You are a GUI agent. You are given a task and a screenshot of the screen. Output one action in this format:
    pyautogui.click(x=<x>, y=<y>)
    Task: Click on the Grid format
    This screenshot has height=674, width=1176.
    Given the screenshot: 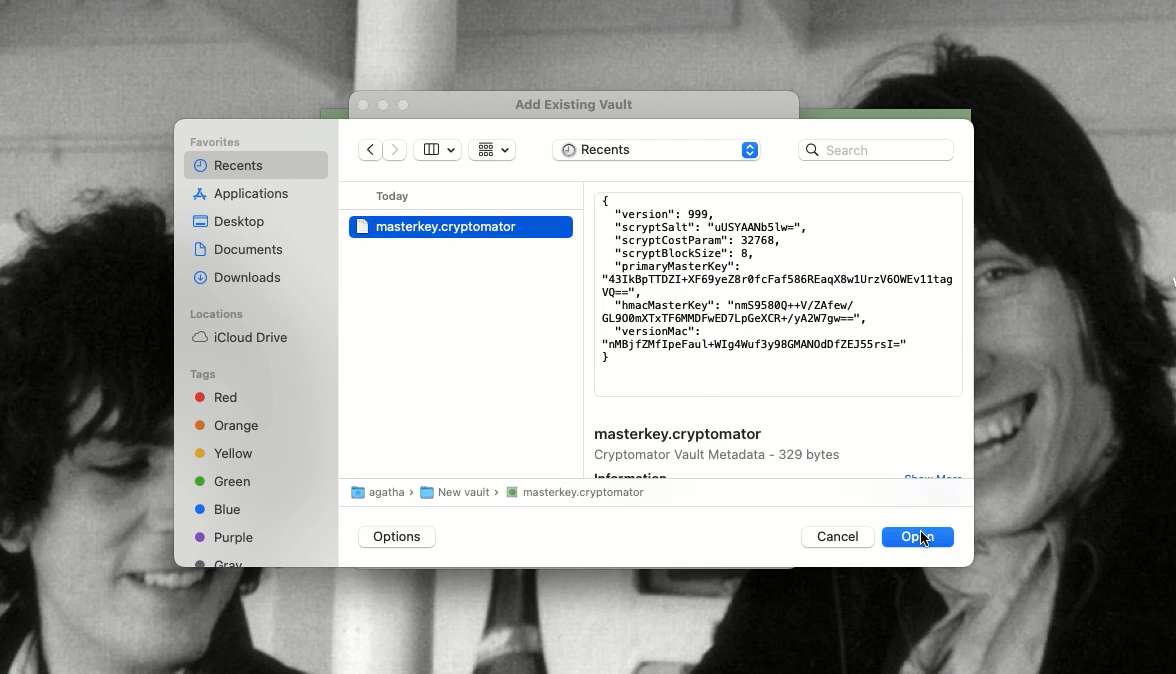 What is the action you would take?
    pyautogui.click(x=492, y=150)
    